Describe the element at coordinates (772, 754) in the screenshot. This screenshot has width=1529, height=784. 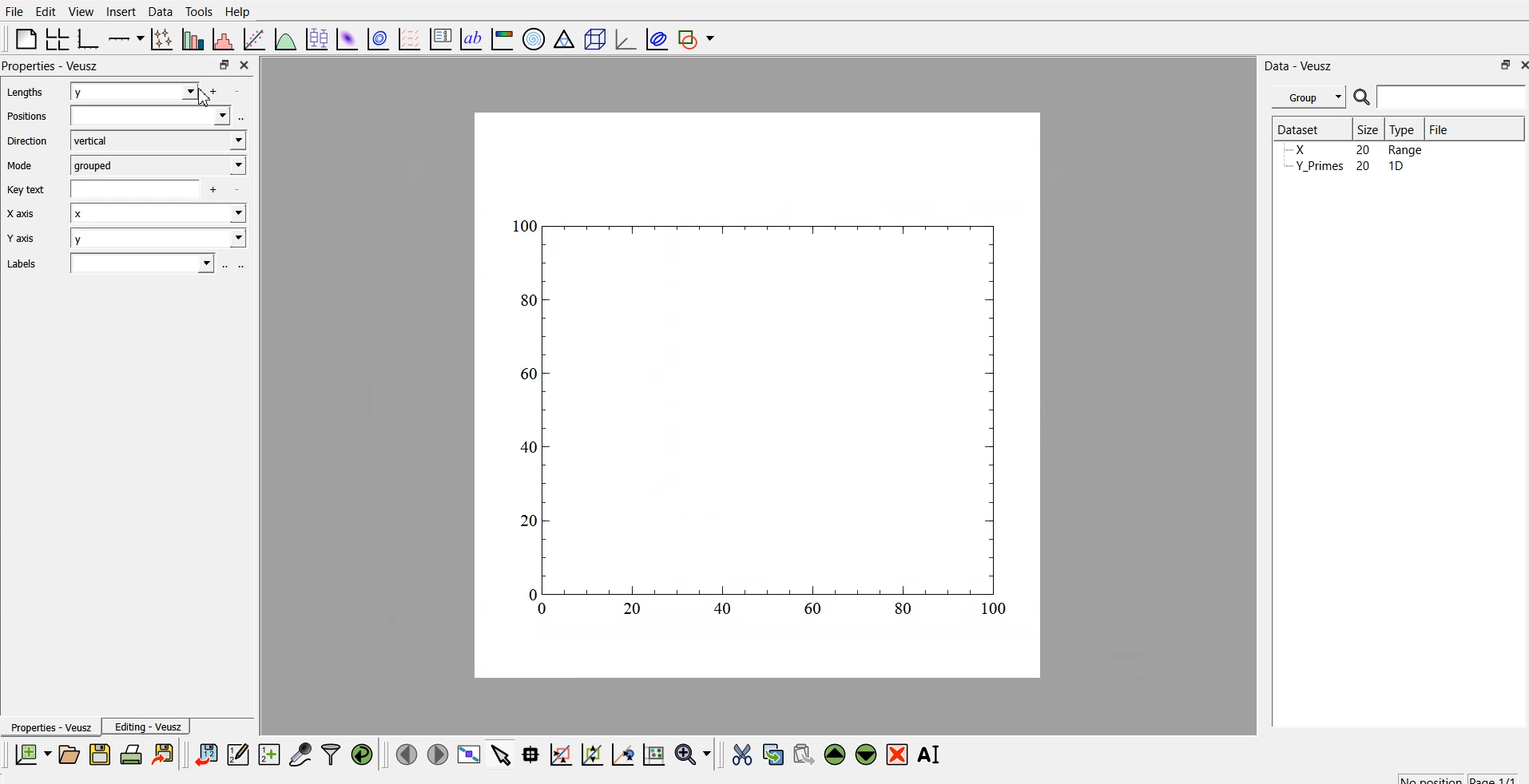
I see `copy the widget` at that location.